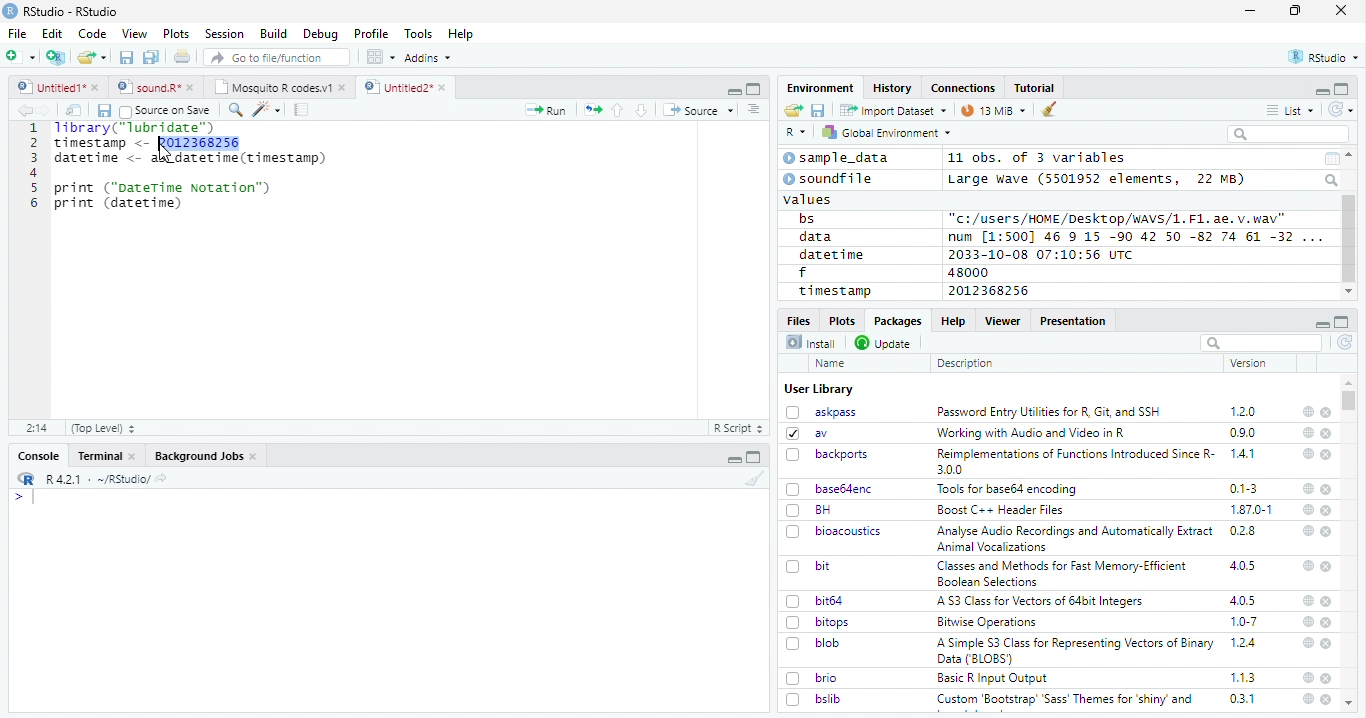 The height and width of the screenshot is (718, 1366). I want to click on Go to previous section, so click(619, 110).